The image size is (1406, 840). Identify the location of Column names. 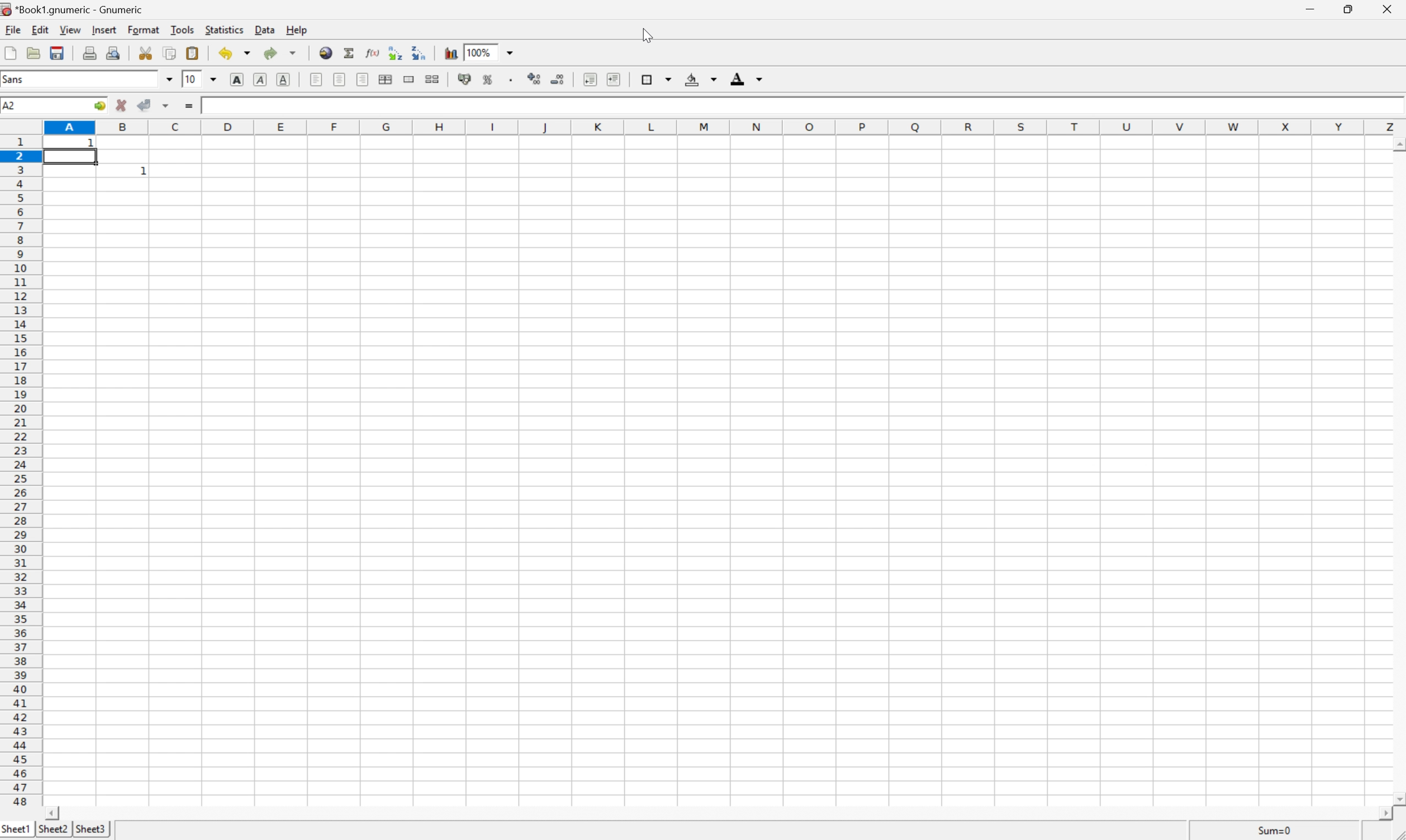
(725, 130).